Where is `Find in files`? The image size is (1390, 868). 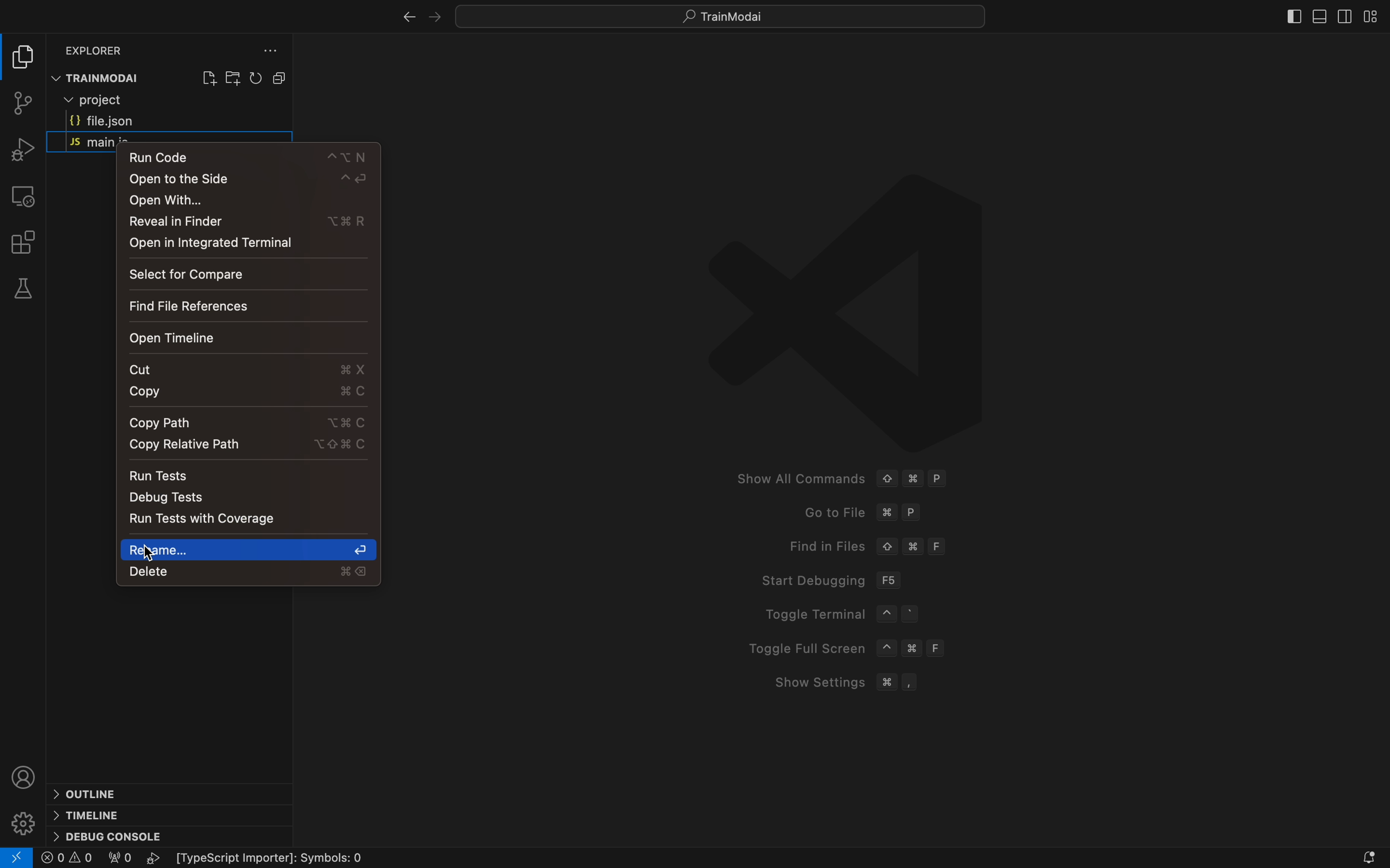 Find in files is located at coordinates (872, 545).